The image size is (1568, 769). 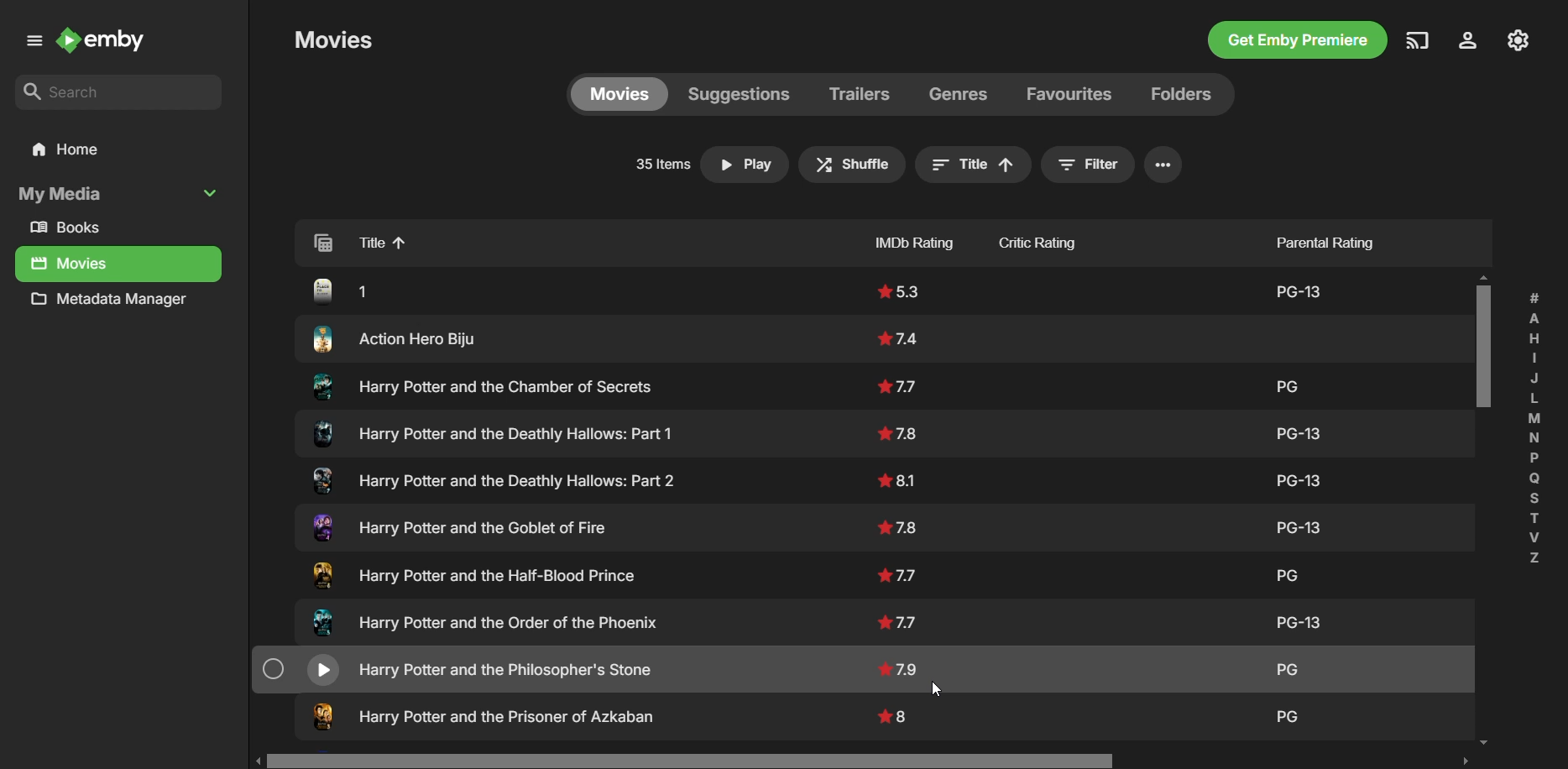 I want to click on , so click(x=895, y=714).